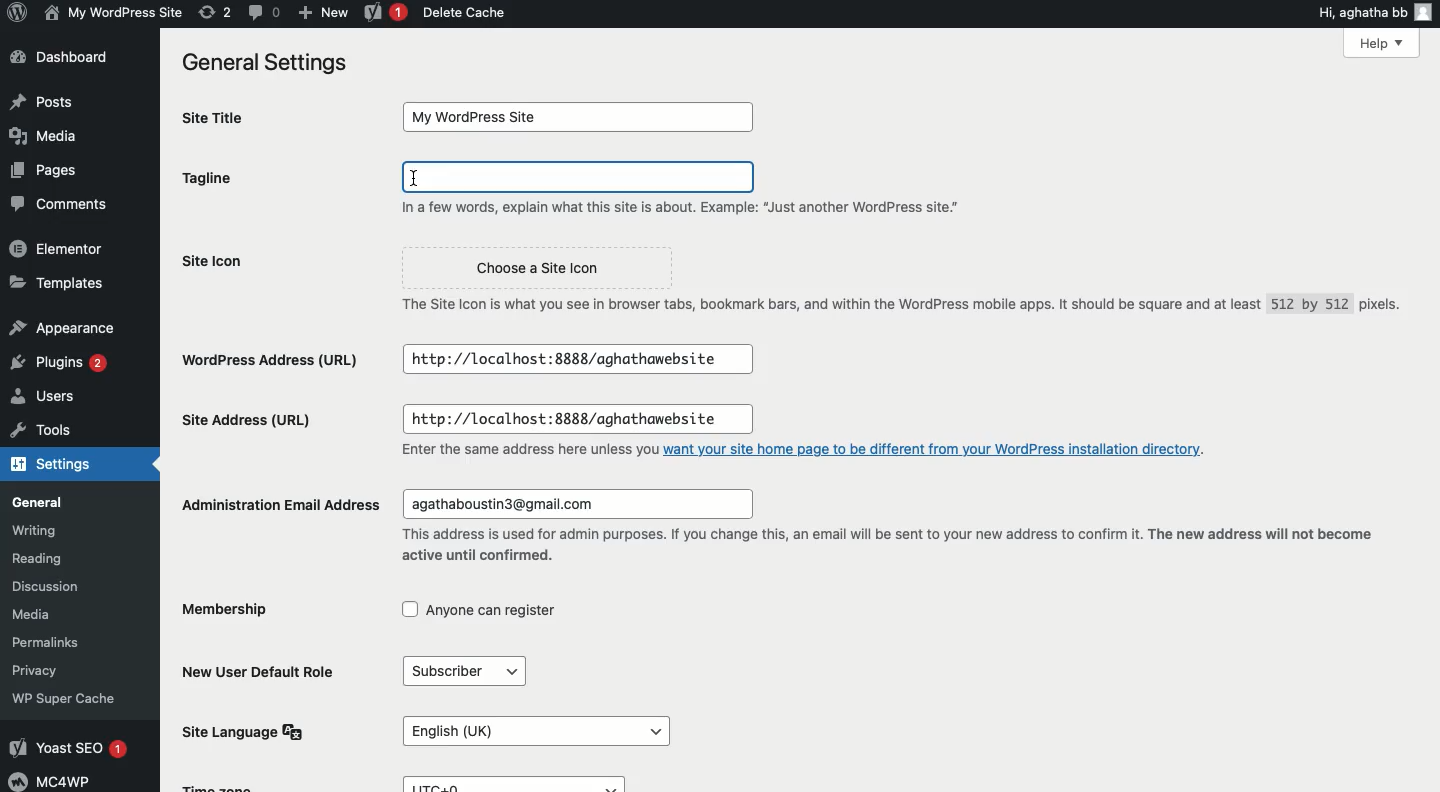  I want to click on agathaboustin3@gmail.com, so click(582, 500).